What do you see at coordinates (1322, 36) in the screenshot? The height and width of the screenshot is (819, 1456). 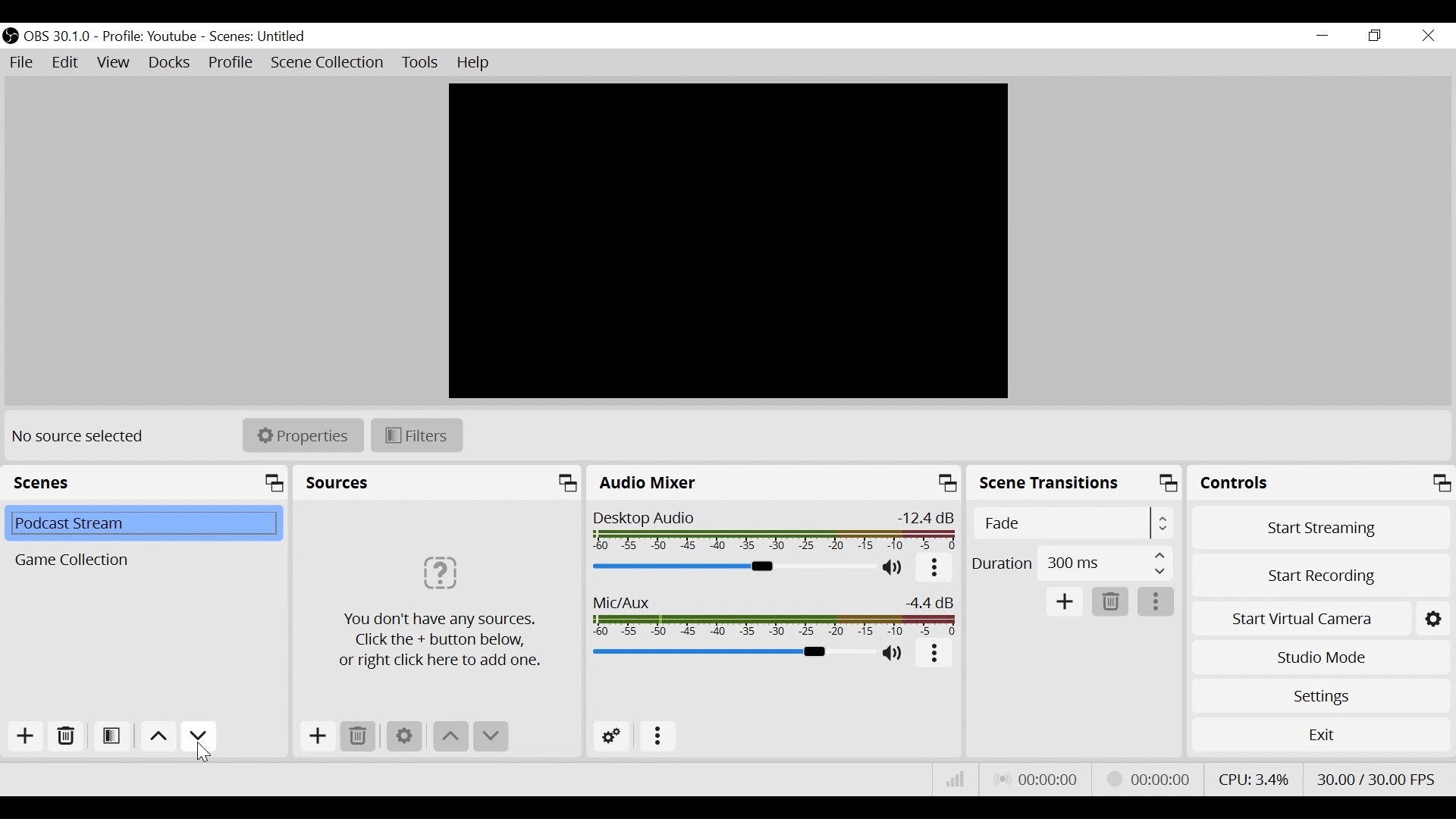 I see `minimize` at bounding box center [1322, 36].